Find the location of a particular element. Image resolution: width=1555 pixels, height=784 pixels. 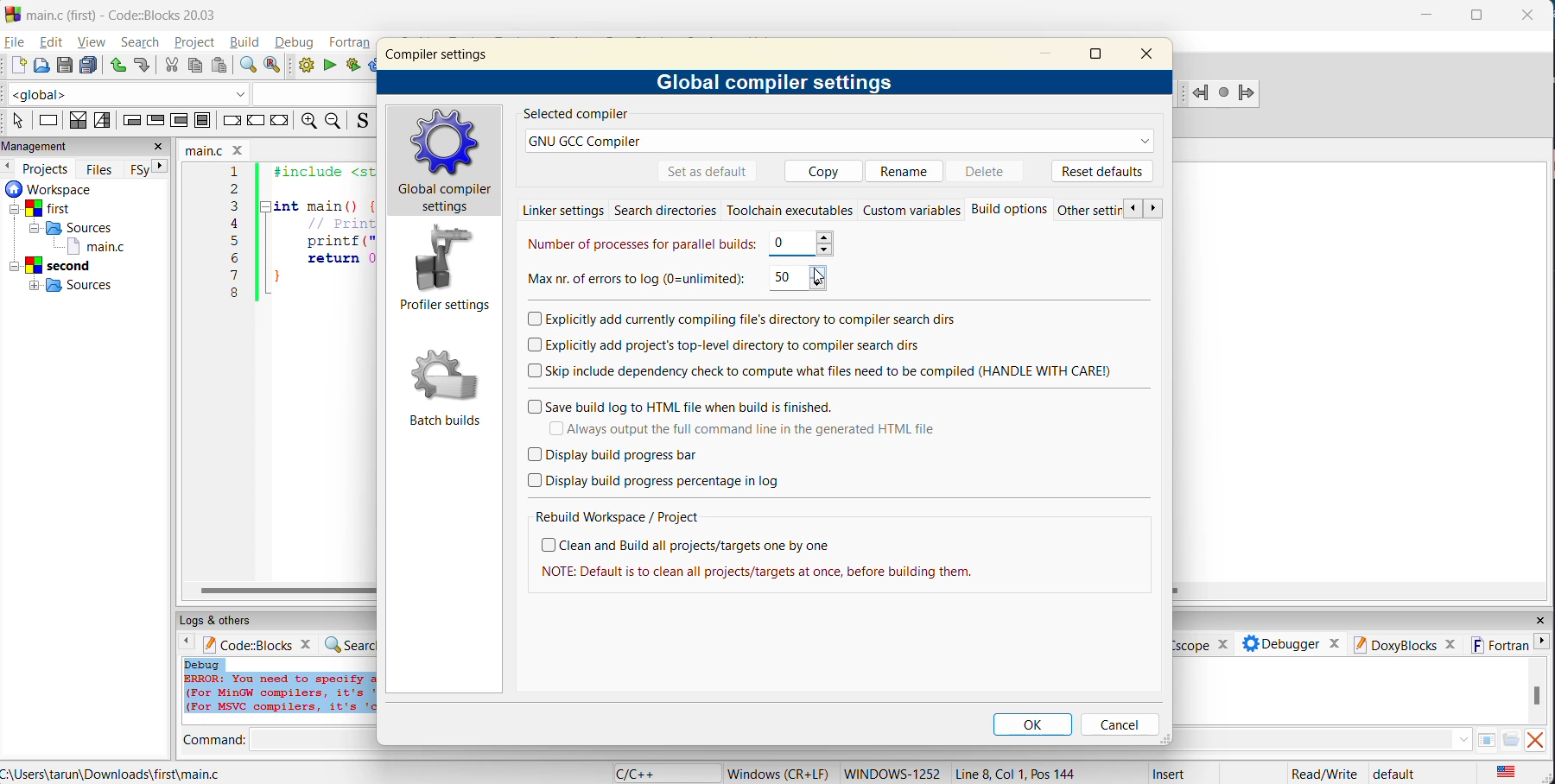

rebuild workspace/project is located at coordinates (615, 516).